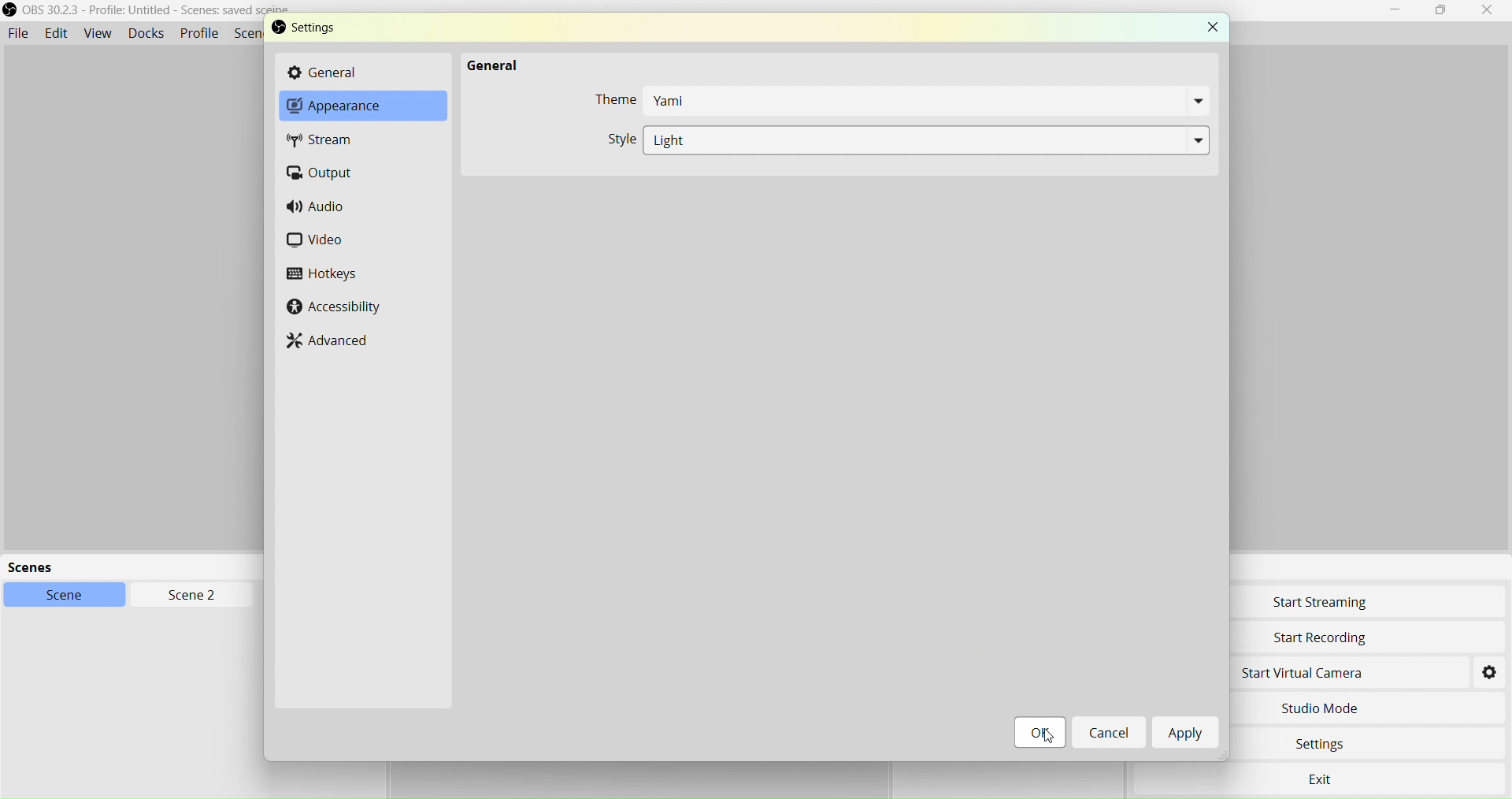 This screenshot has height=799, width=1512. Describe the element at coordinates (1348, 709) in the screenshot. I see `Studio Mode` at that location.